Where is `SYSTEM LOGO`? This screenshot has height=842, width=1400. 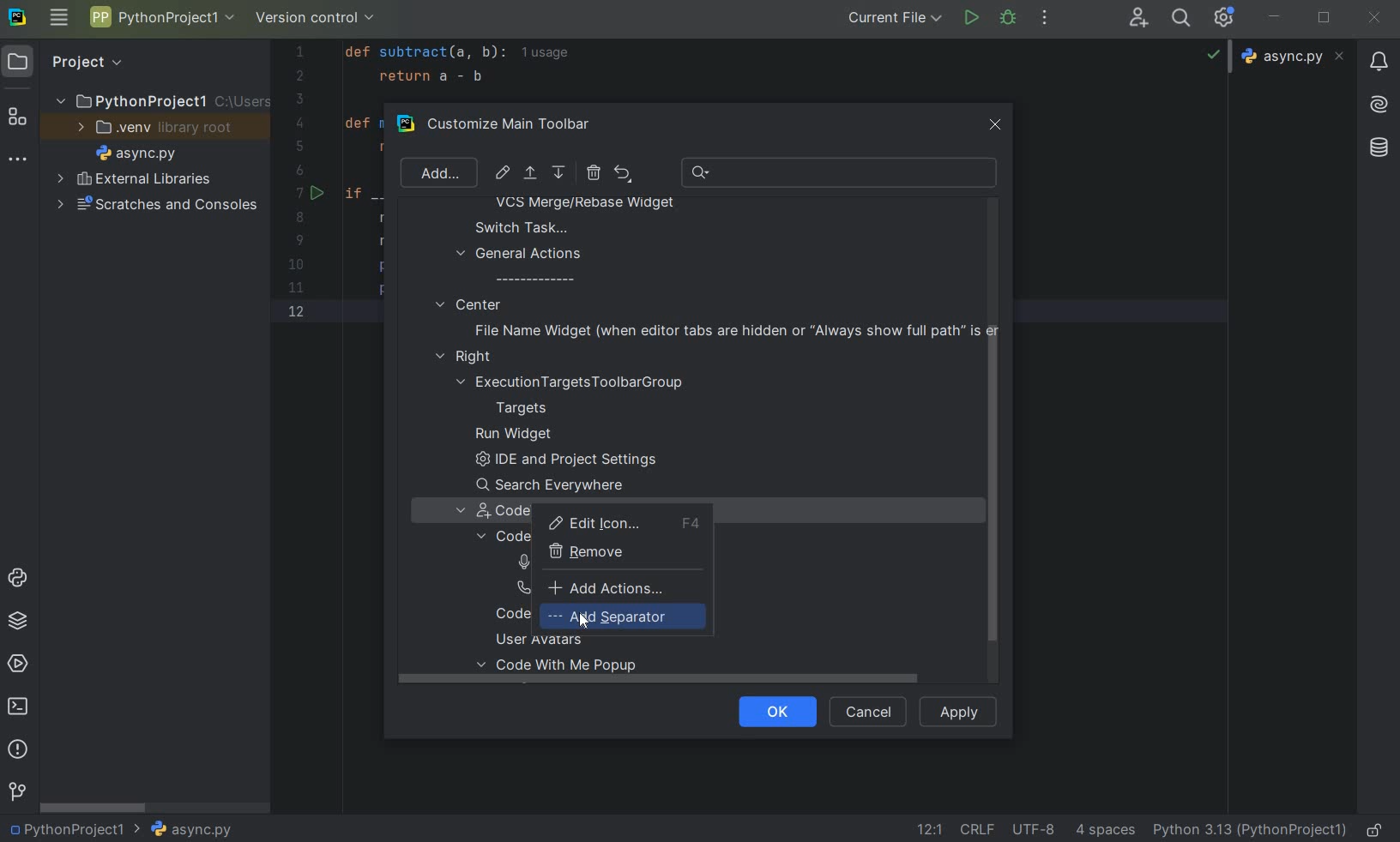 SYSTEM LOGO is located at coordinates (19, 18).